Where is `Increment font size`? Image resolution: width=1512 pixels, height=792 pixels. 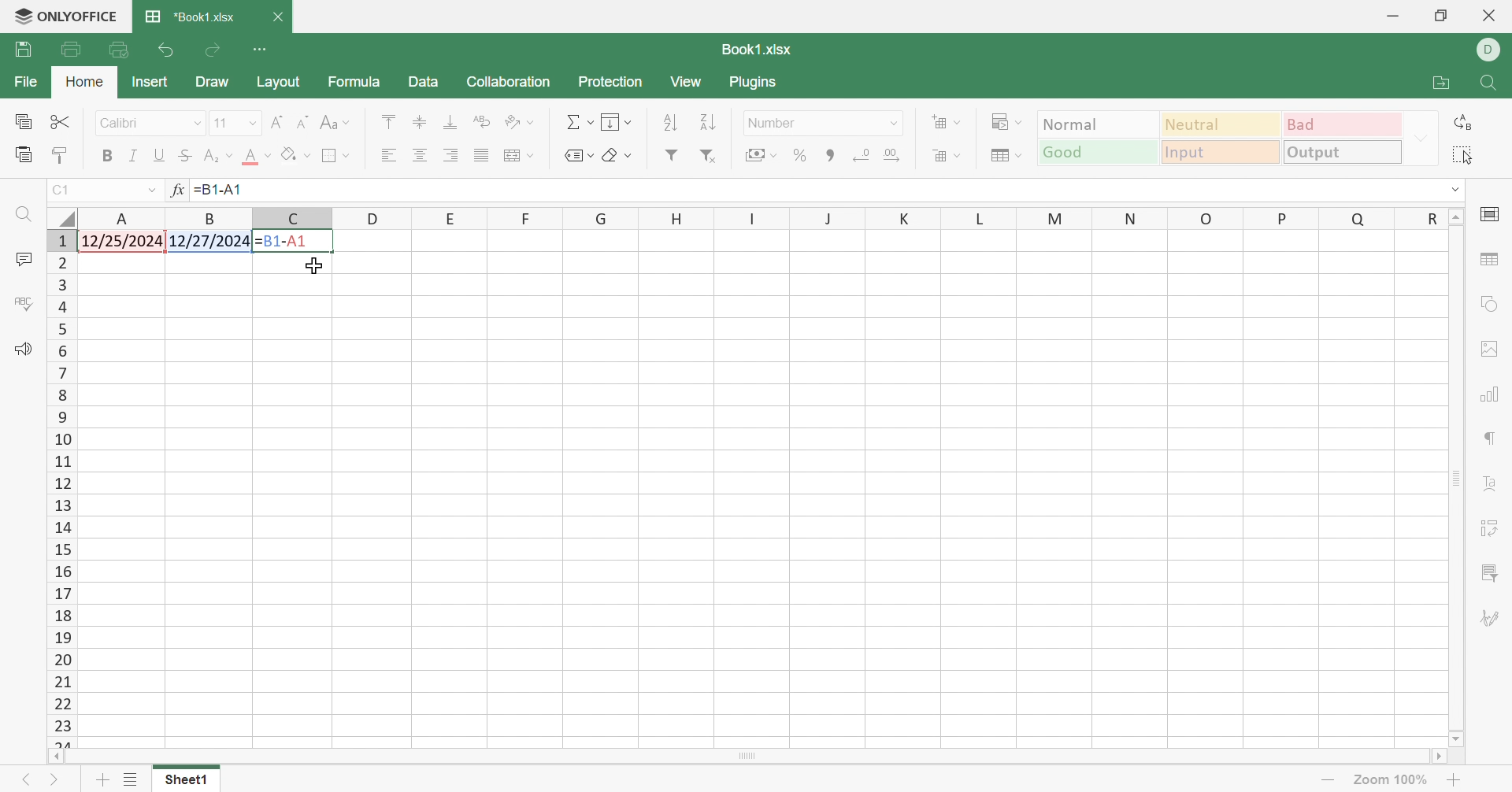
Increment font size is located at coordinates (276, 121).